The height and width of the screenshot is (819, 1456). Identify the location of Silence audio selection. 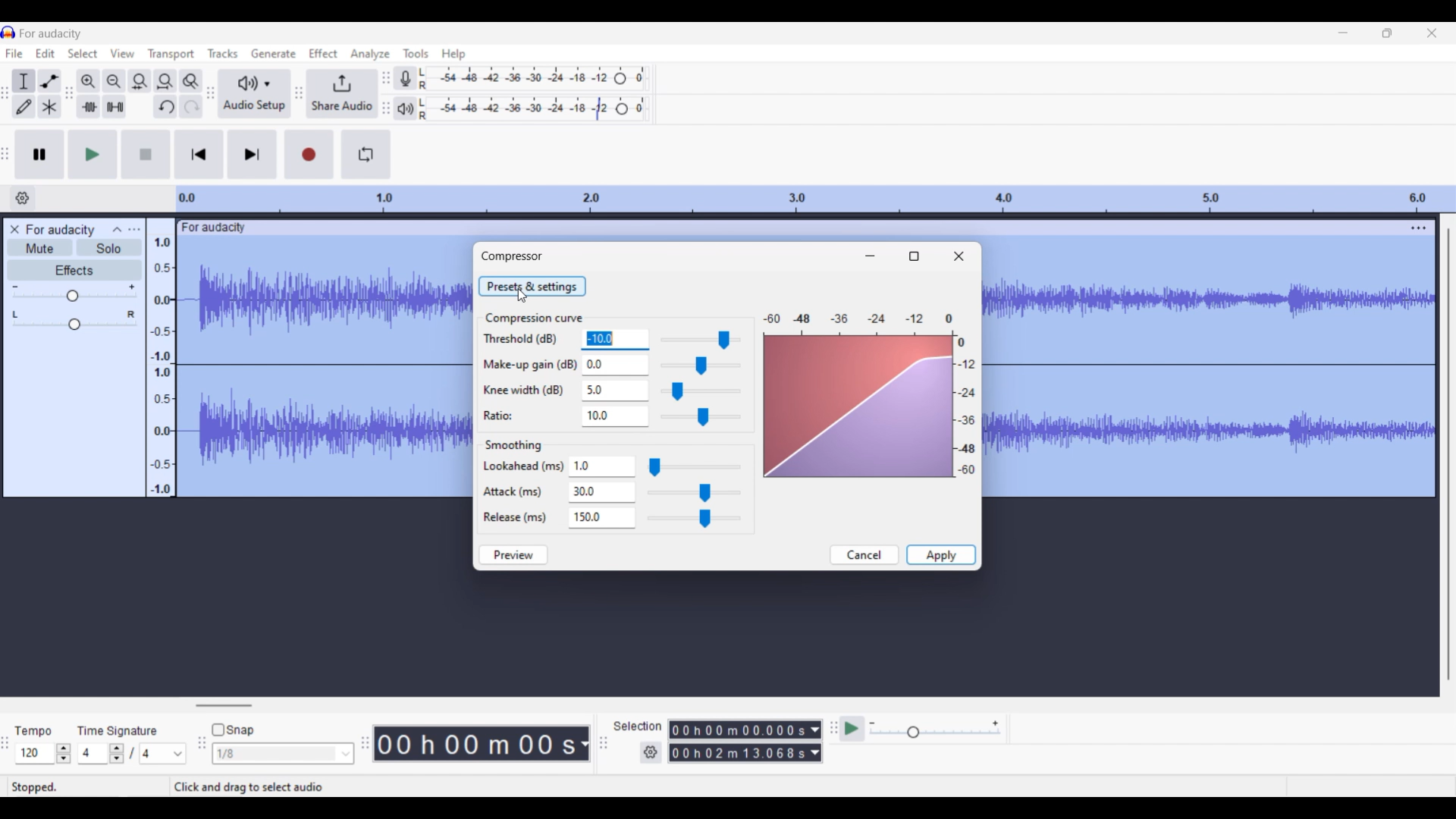
(115, 106).